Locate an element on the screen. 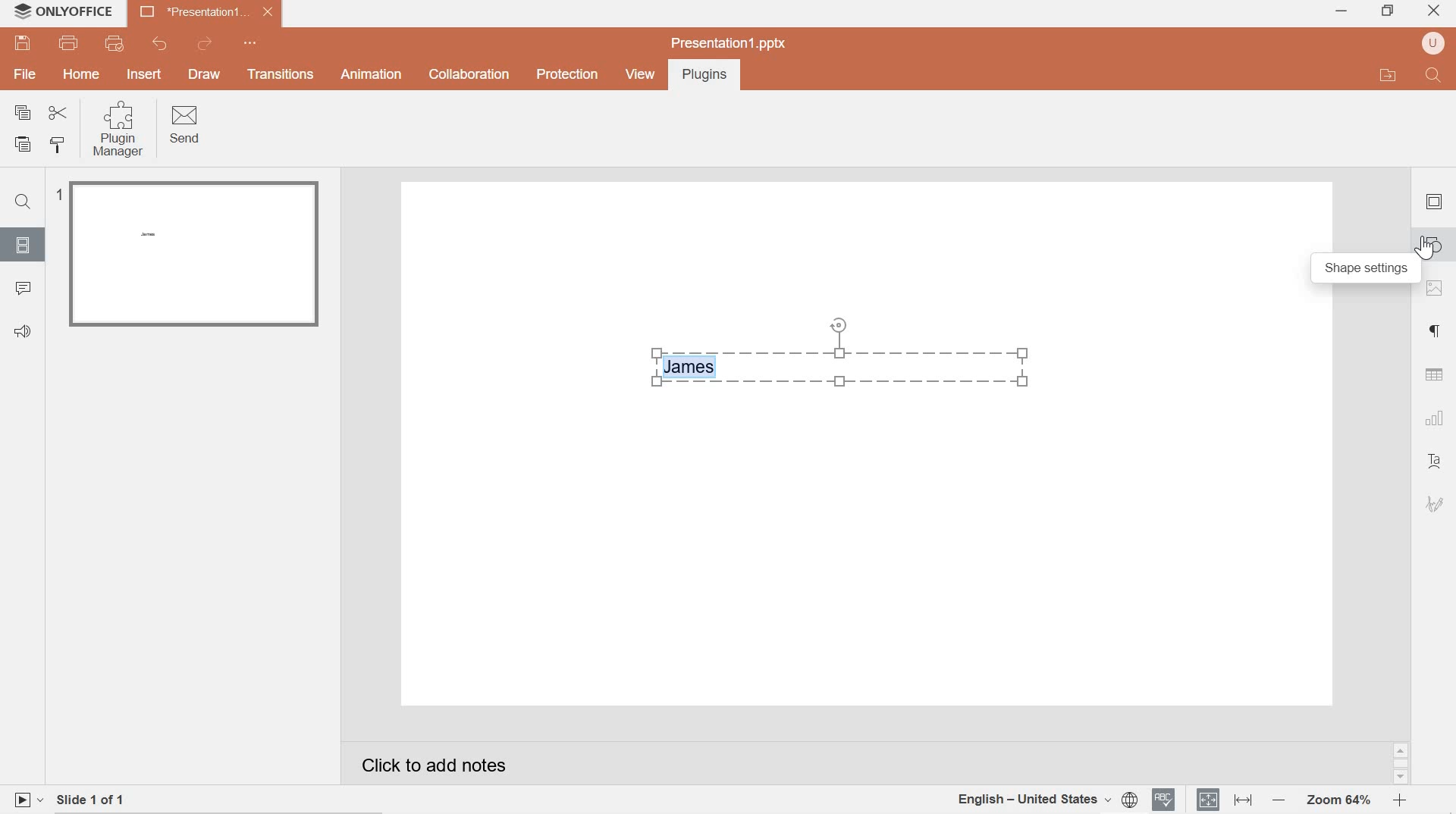 This screenshot has height=814, width=1456. user is located at coordinates (1433, 44).